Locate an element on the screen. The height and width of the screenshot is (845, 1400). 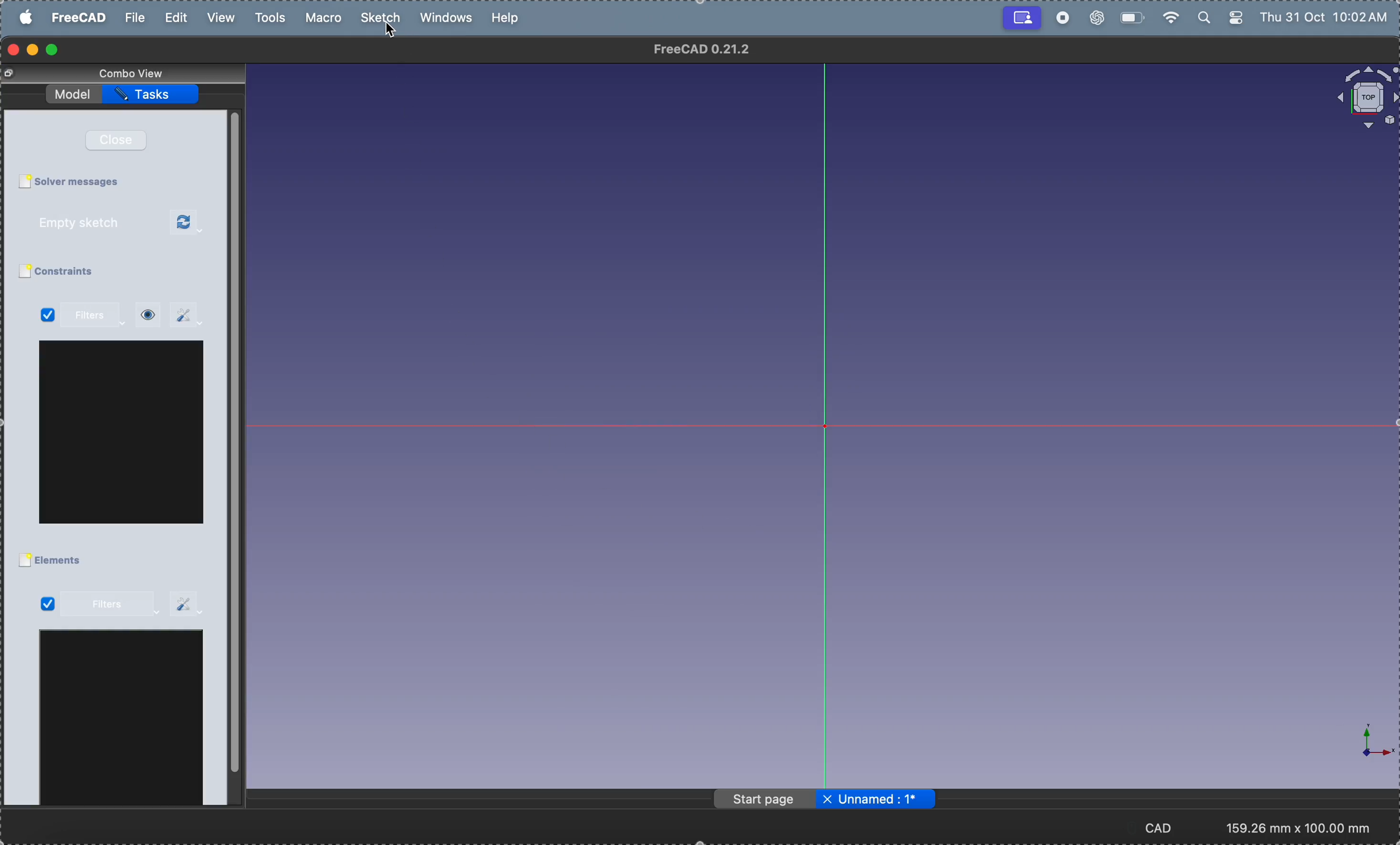
refresh is located at coordinates (188, 223).